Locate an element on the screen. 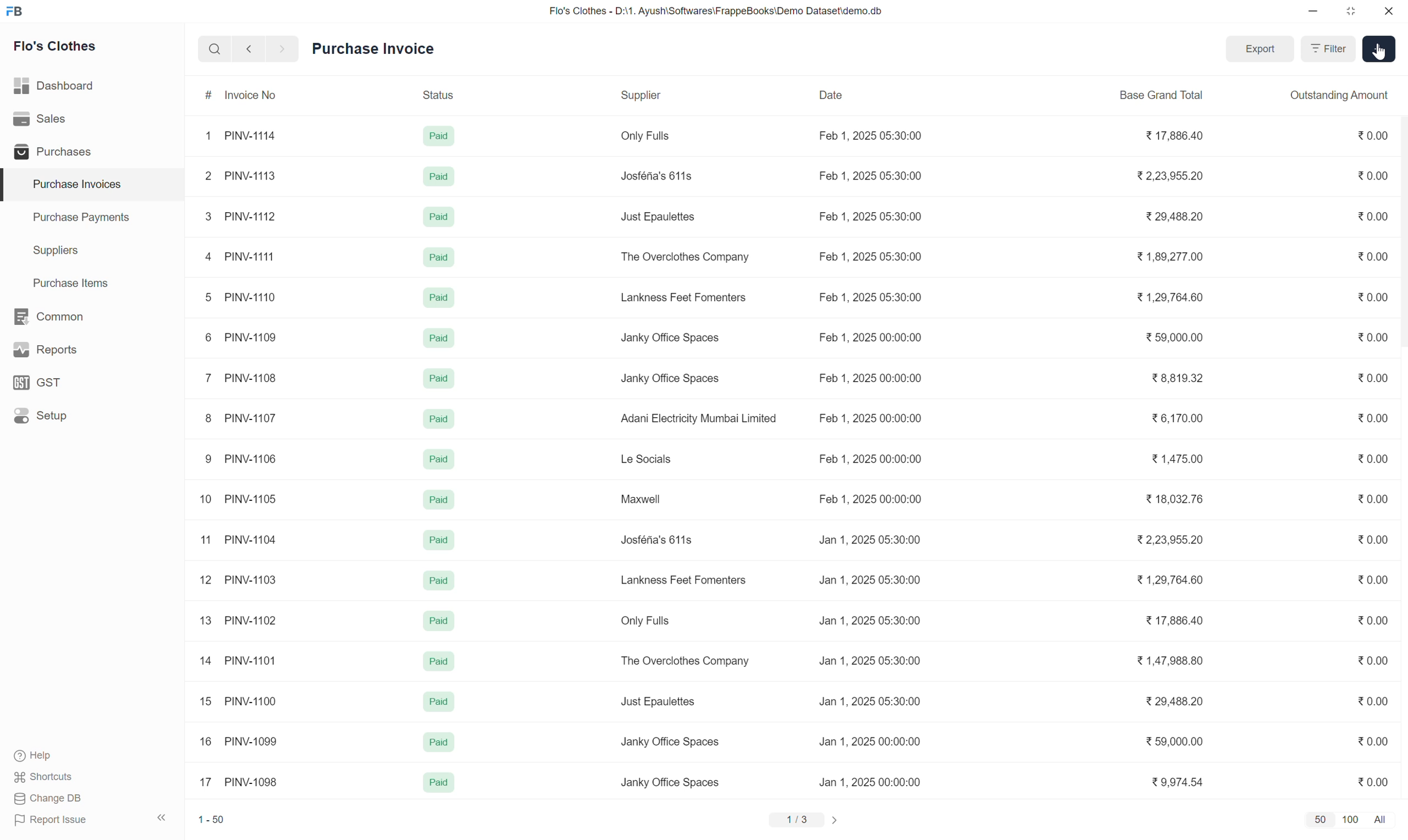 This screenshot has width=1408, height=840. 29,488.20 is located at coordinates (1174, 701).